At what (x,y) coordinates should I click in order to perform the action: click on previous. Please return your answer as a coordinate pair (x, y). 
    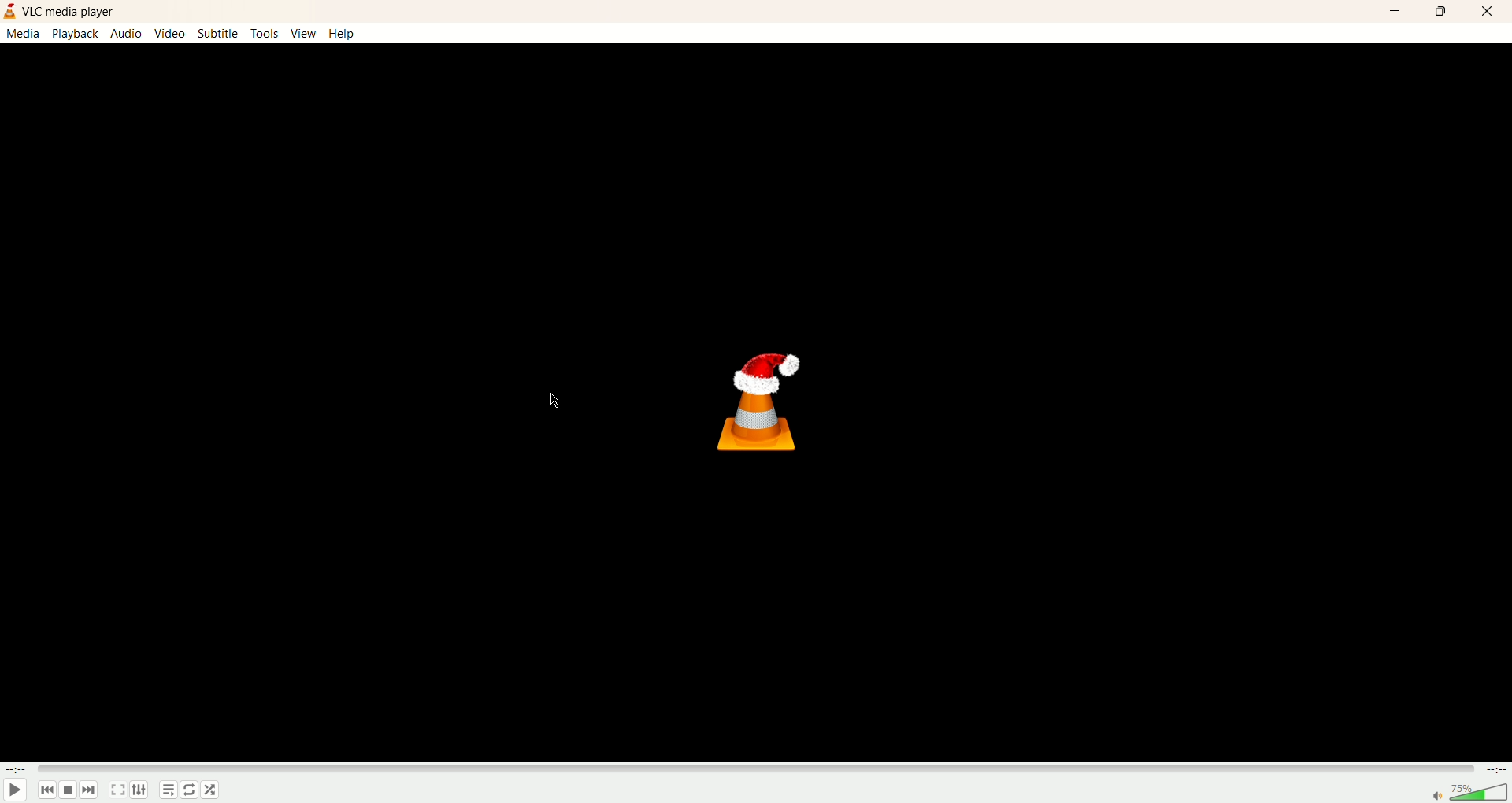
    Looking at the image, I should click on (48, 790).